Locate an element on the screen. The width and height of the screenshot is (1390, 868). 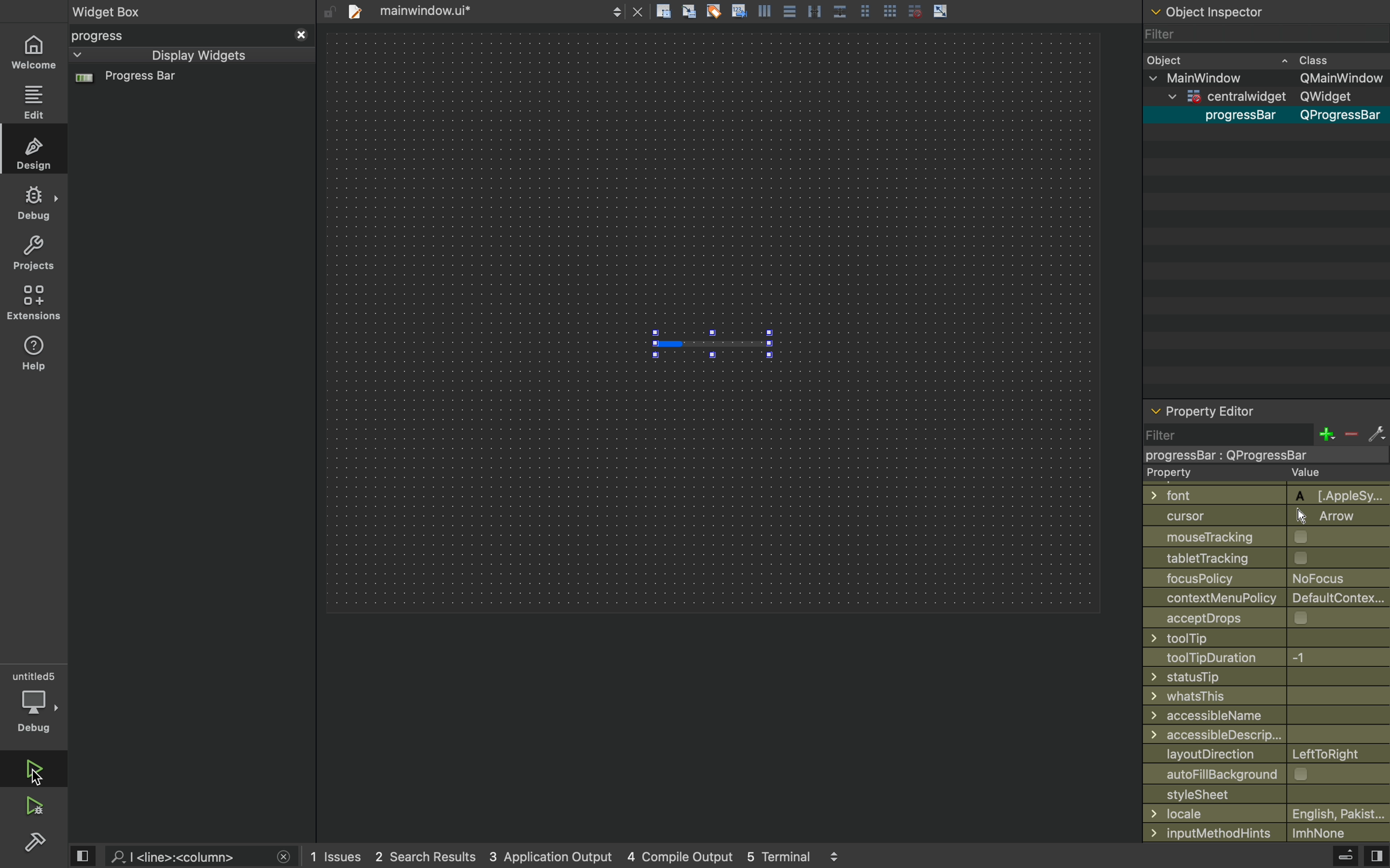
acceptdrops is located at coordinates (1257, 617).